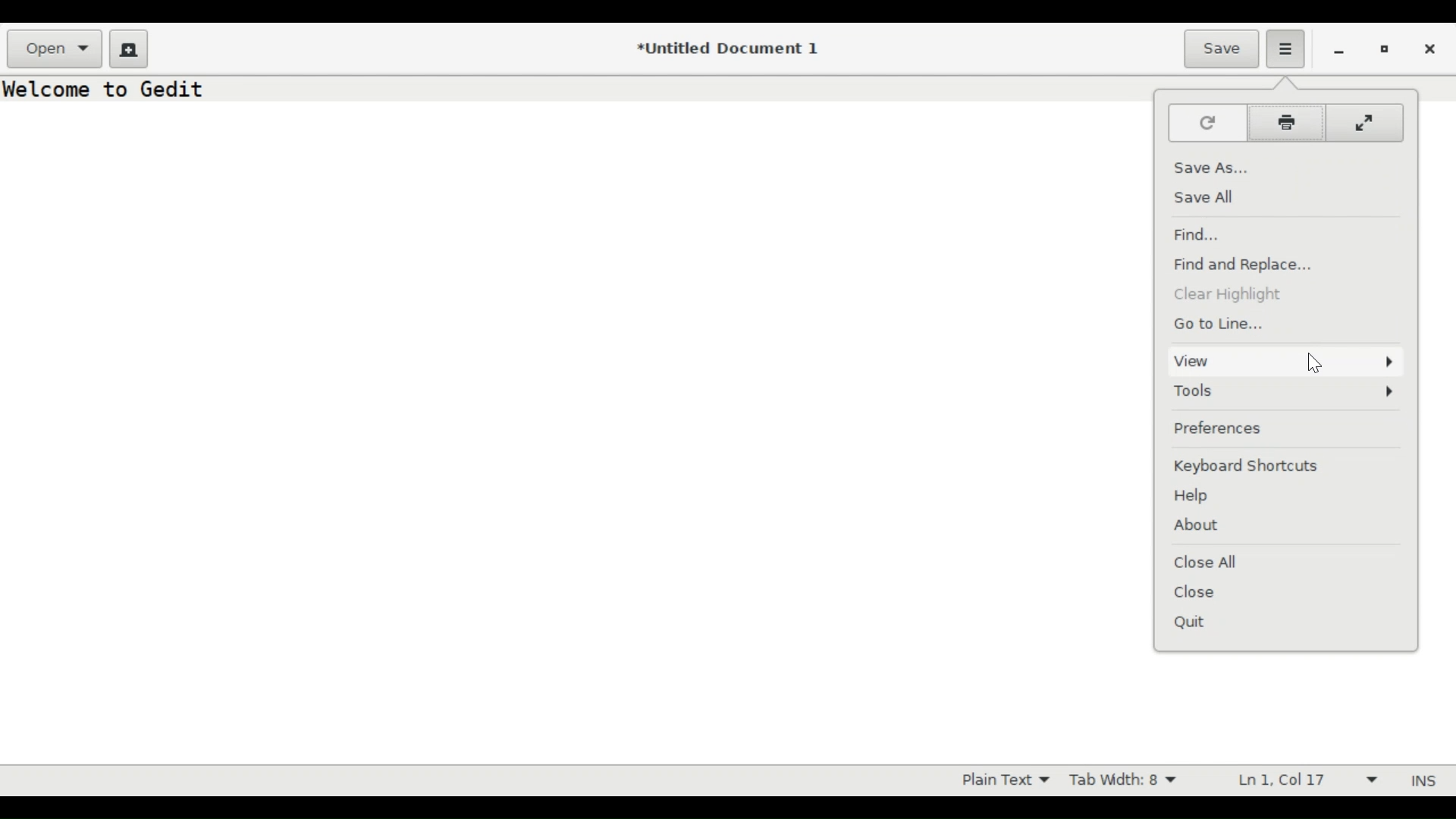 The image size is (1456, 819). What do you see at coordinates (1241, 295) in the screenshot?
I see `Clear Highlight` at bounding box center [1241, 295].